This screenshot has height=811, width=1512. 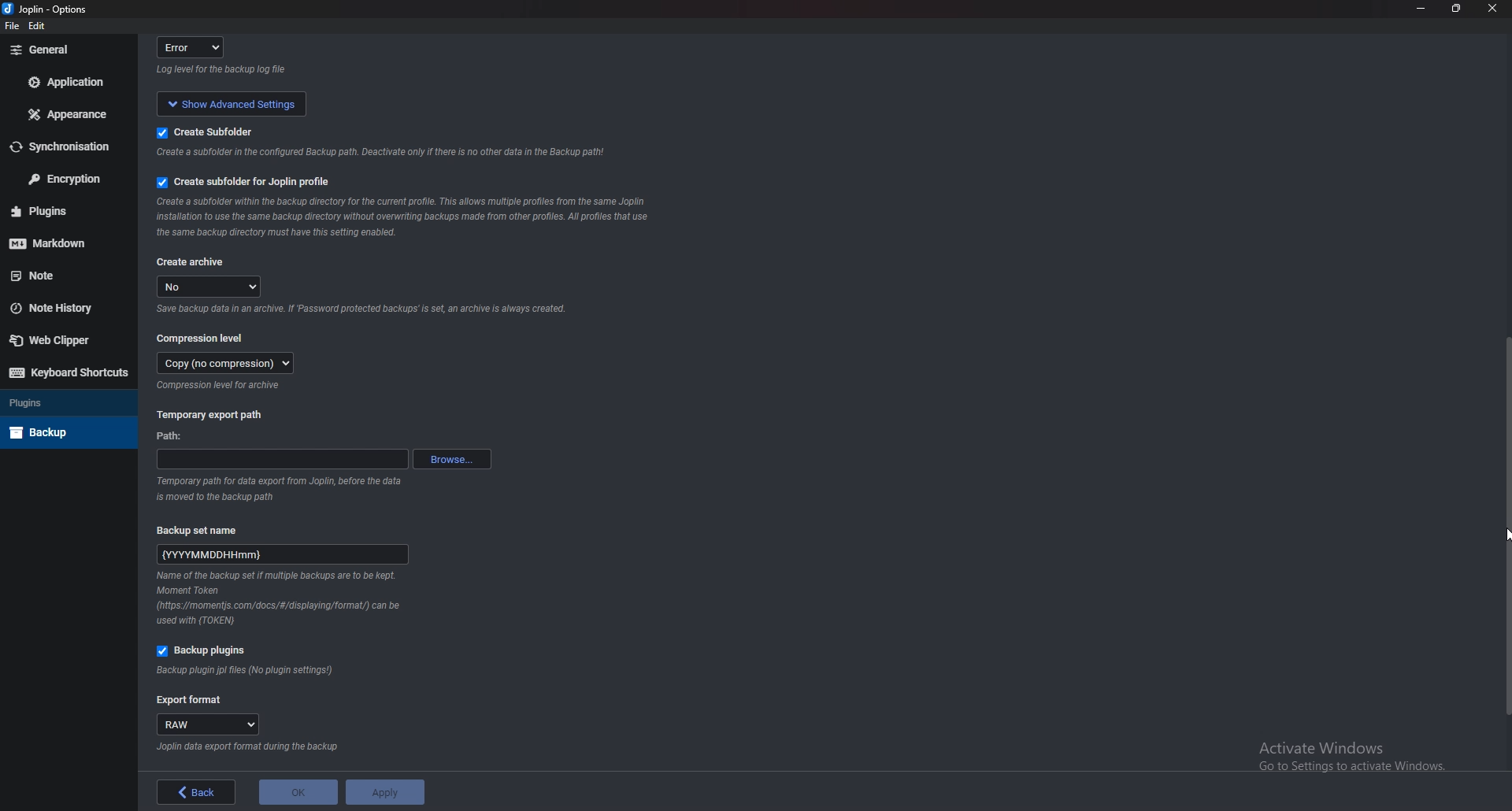 What do you see at coordinates (361, 310) in the screenshot?
I see `info` at bounding box center [361, 310].